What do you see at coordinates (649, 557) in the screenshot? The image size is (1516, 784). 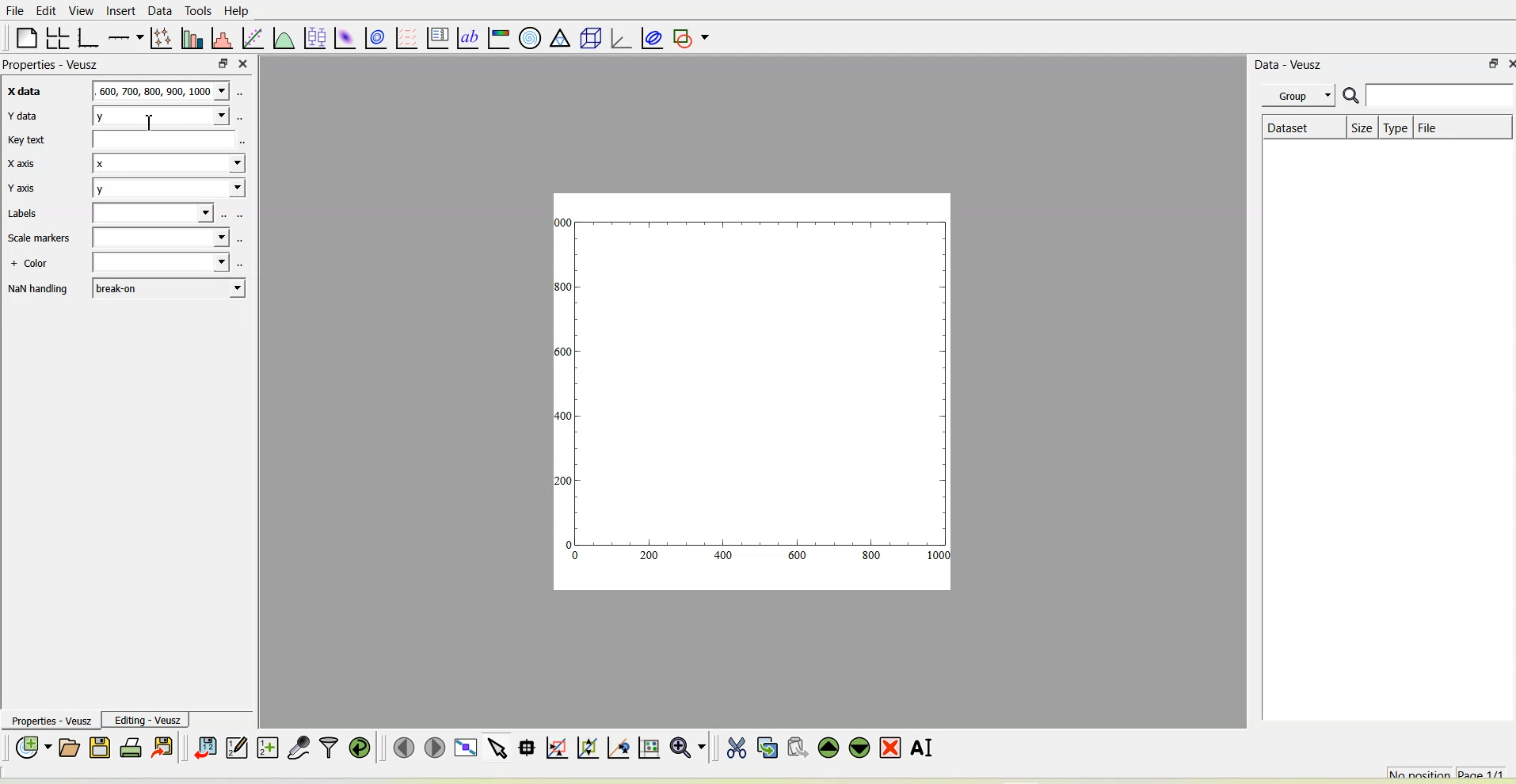 I see `200` at bounding box center [649, 557].